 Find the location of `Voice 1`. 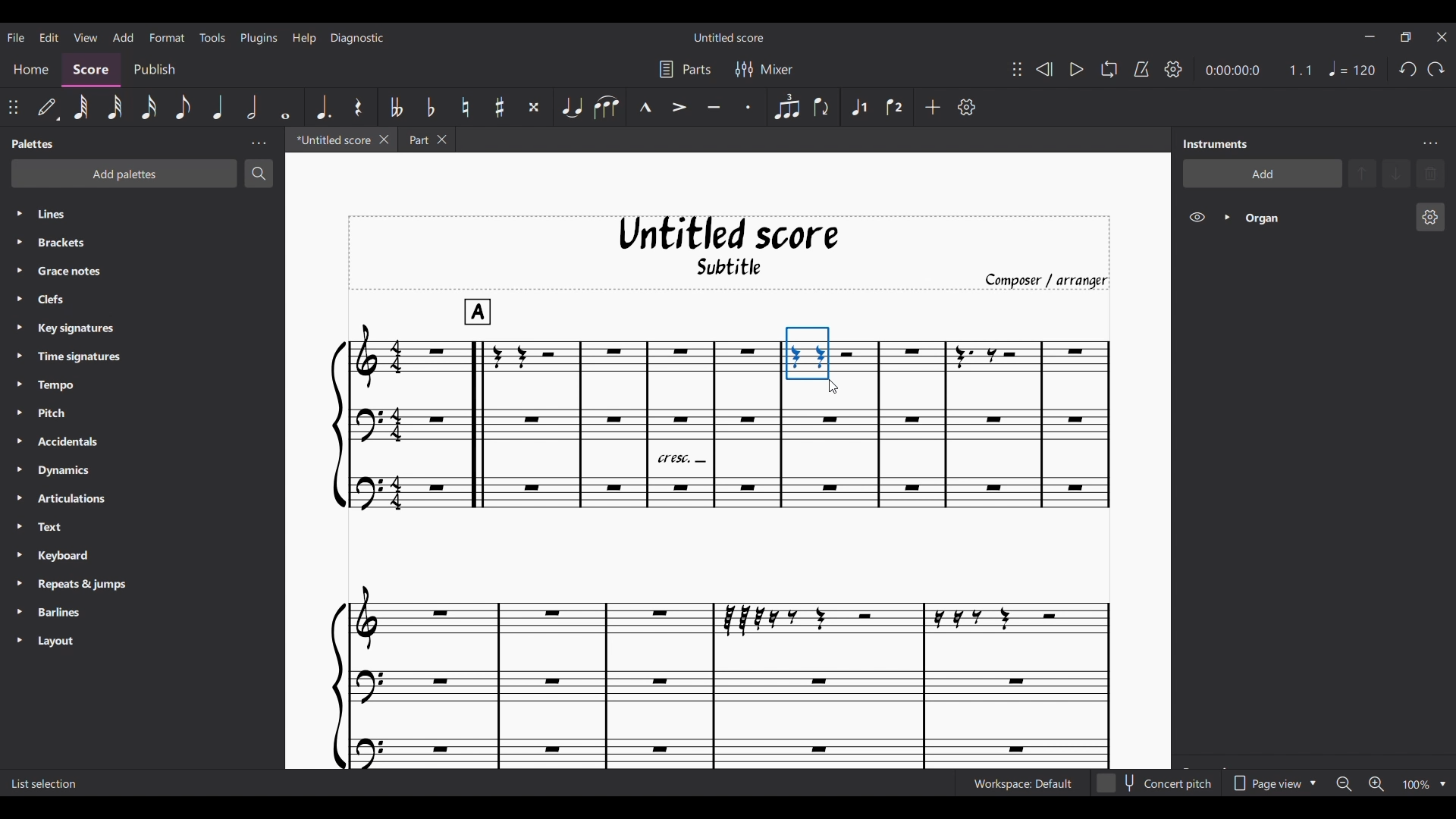

Voice 1 is located at coordinates (859, 108).